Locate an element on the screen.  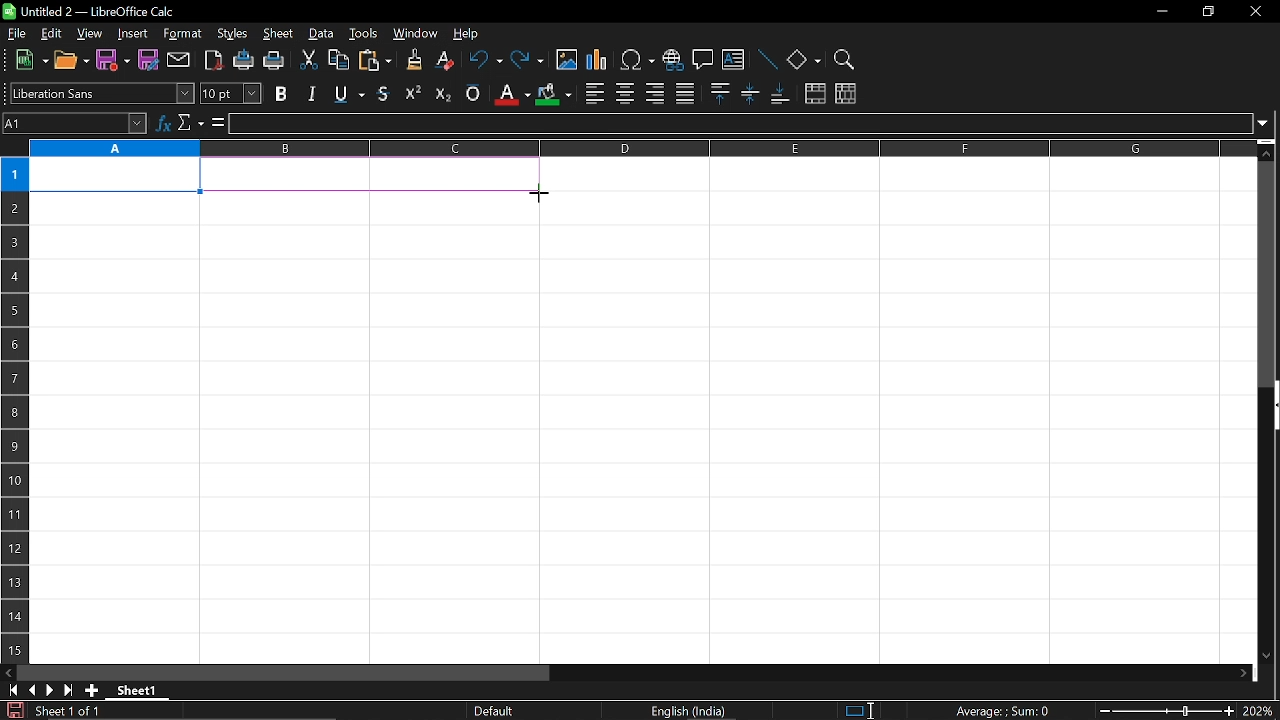
standard selection is located at coordinates (860, 711).